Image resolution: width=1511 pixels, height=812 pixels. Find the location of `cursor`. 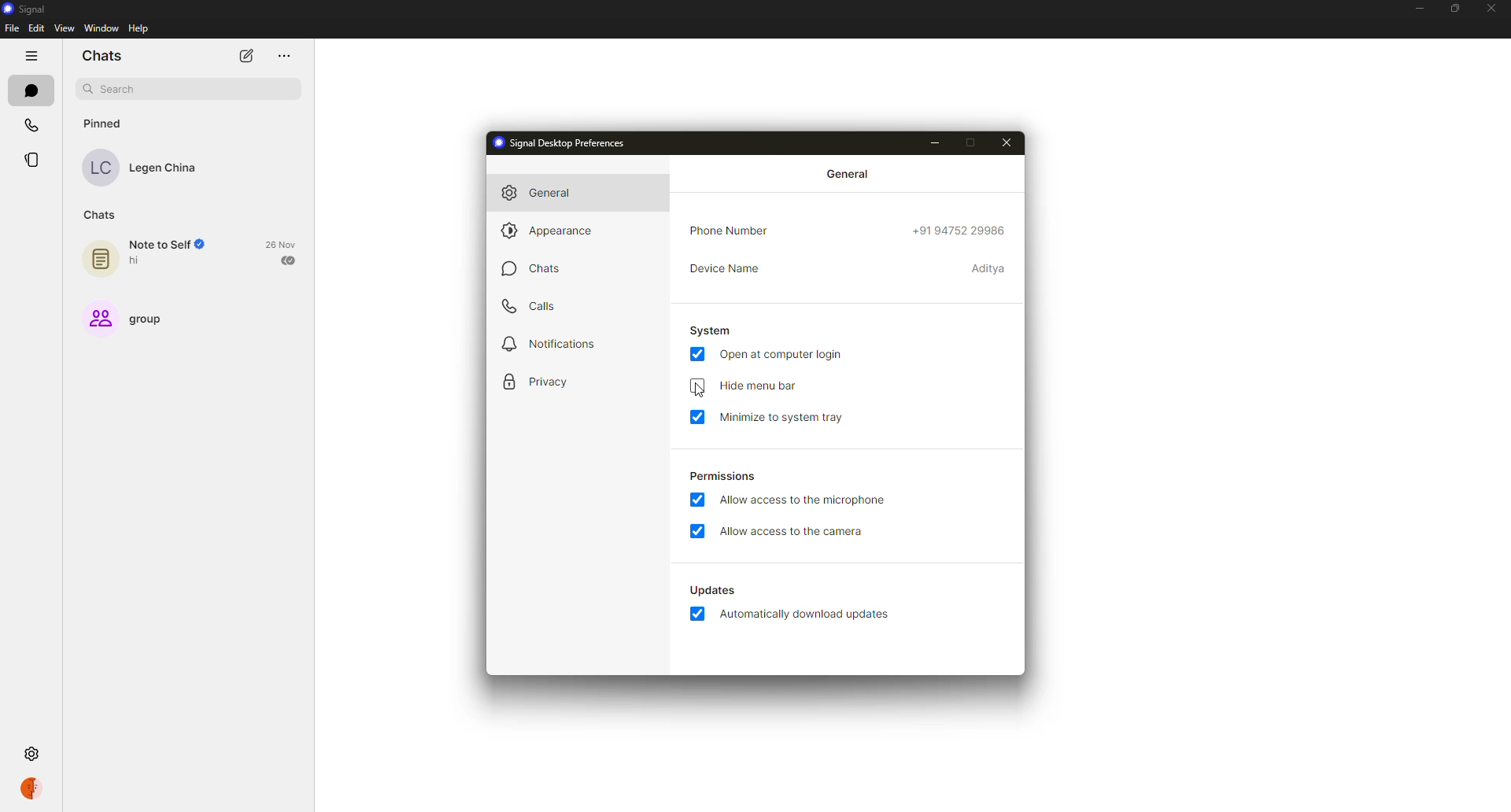

cursor is located at coordinates (700, 391).